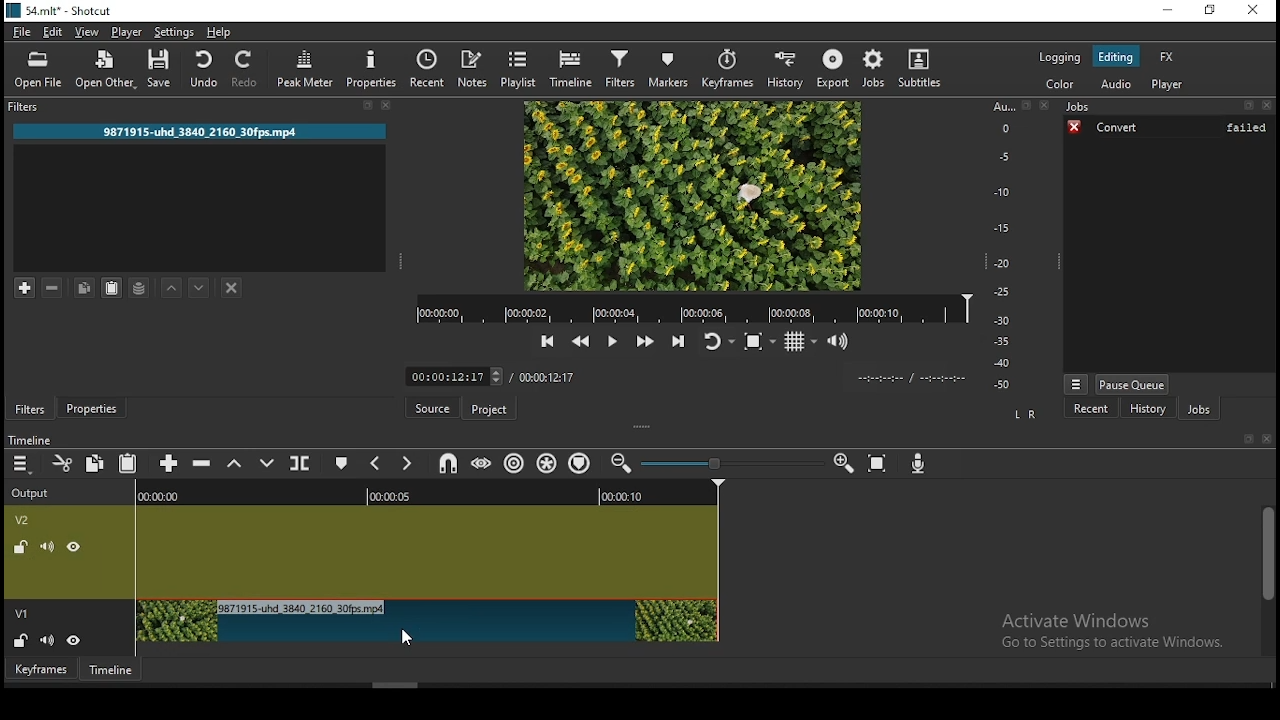 The width and height of the screenshot is (1280, 720). Describe the element at coordinates (406, 464) in the screenshot. I see `next marker` at that location.